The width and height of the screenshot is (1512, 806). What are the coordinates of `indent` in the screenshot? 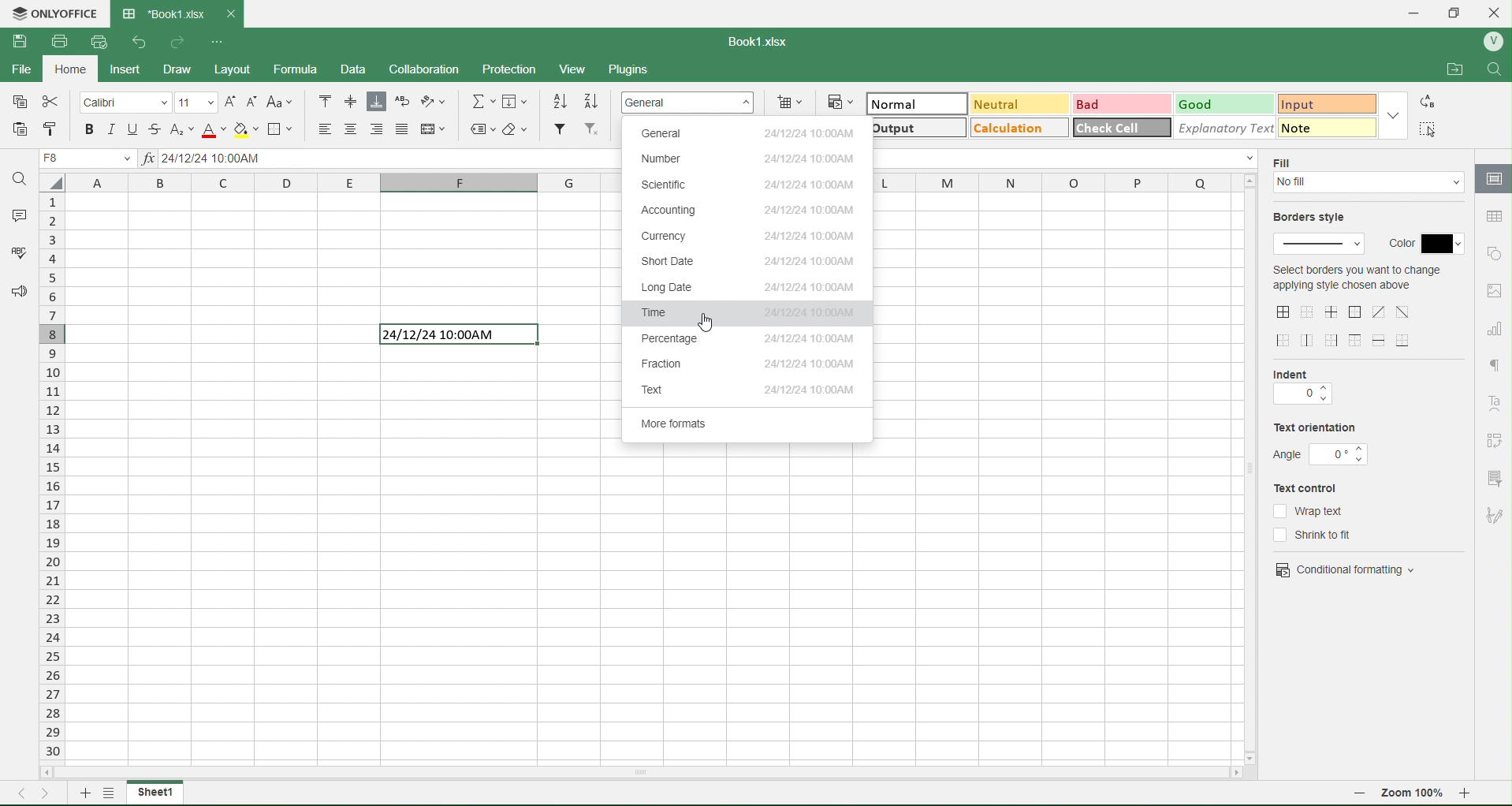 It's located at (1302, 396).